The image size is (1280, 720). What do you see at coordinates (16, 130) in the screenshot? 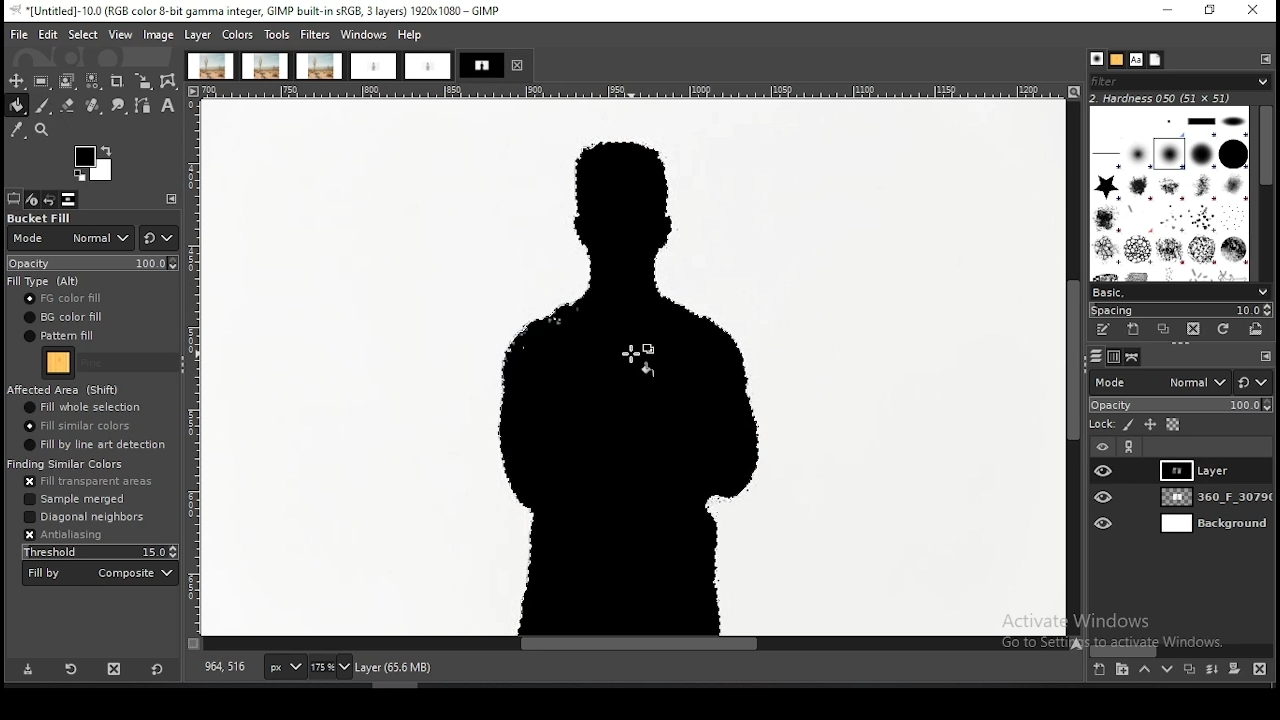
I see `color picker tool` at bounding box center [16, 130].